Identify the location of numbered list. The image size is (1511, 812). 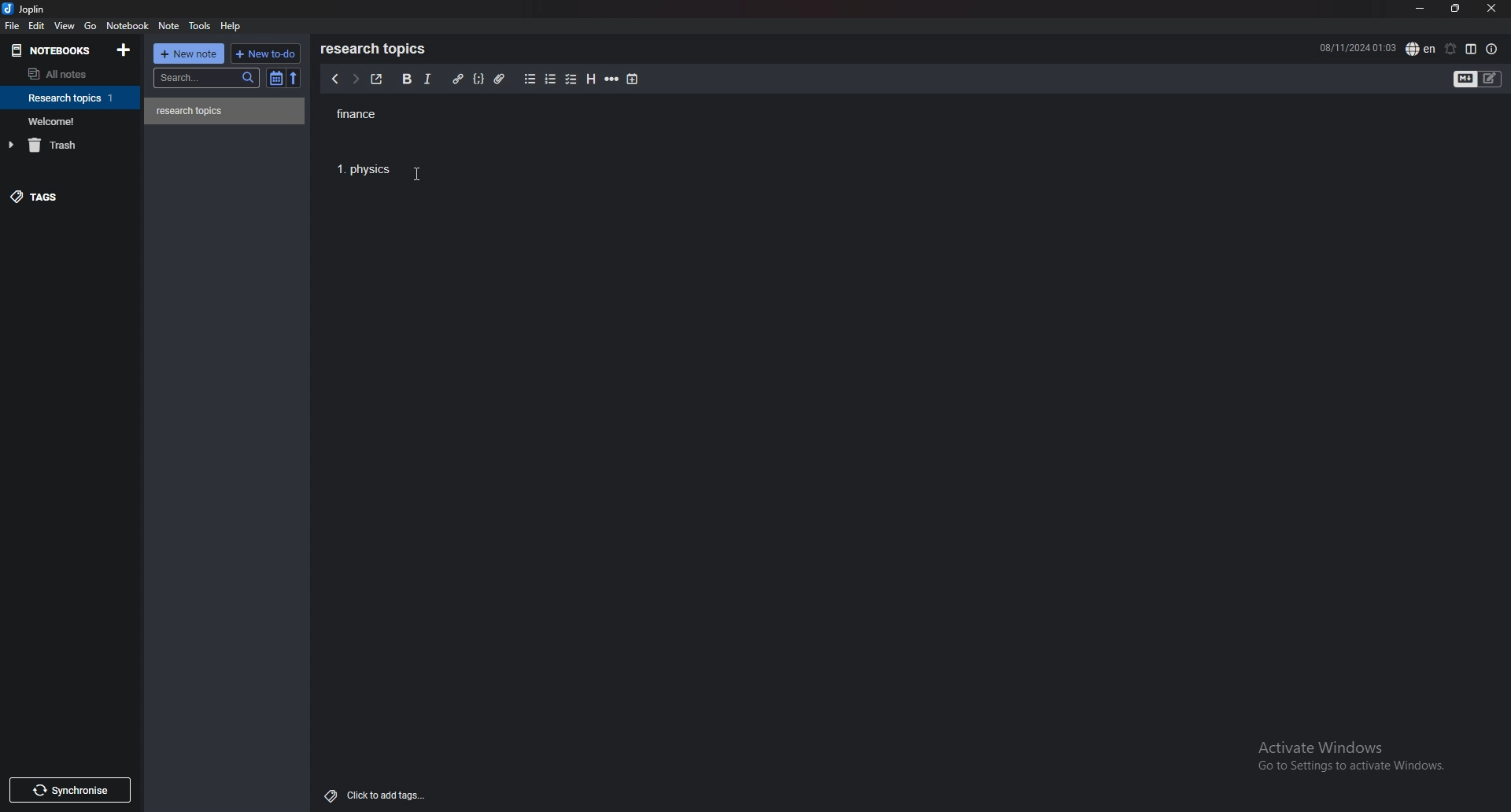
(552, 79).